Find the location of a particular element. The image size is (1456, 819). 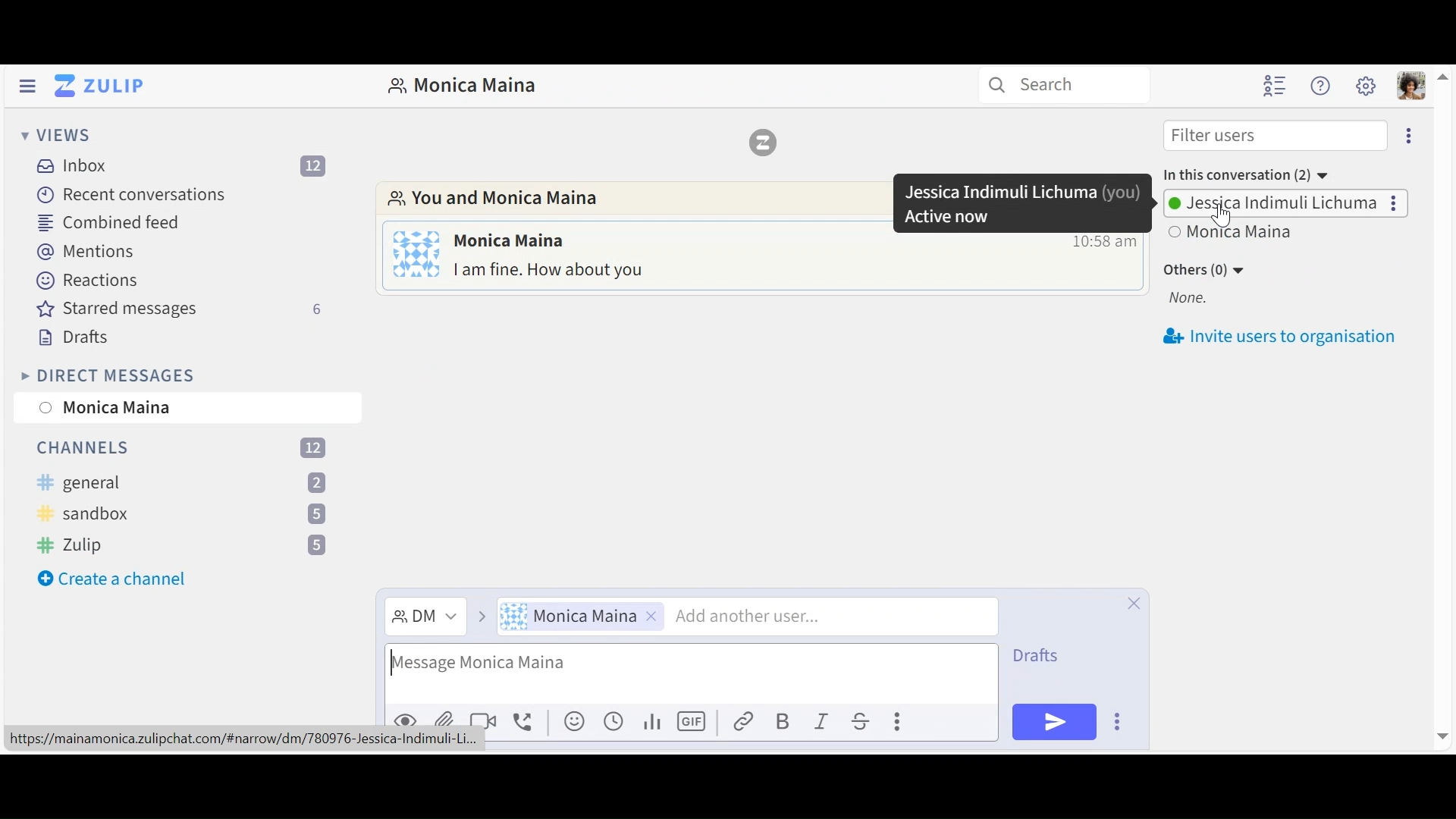

Preview is located at coordinates (406, 718).